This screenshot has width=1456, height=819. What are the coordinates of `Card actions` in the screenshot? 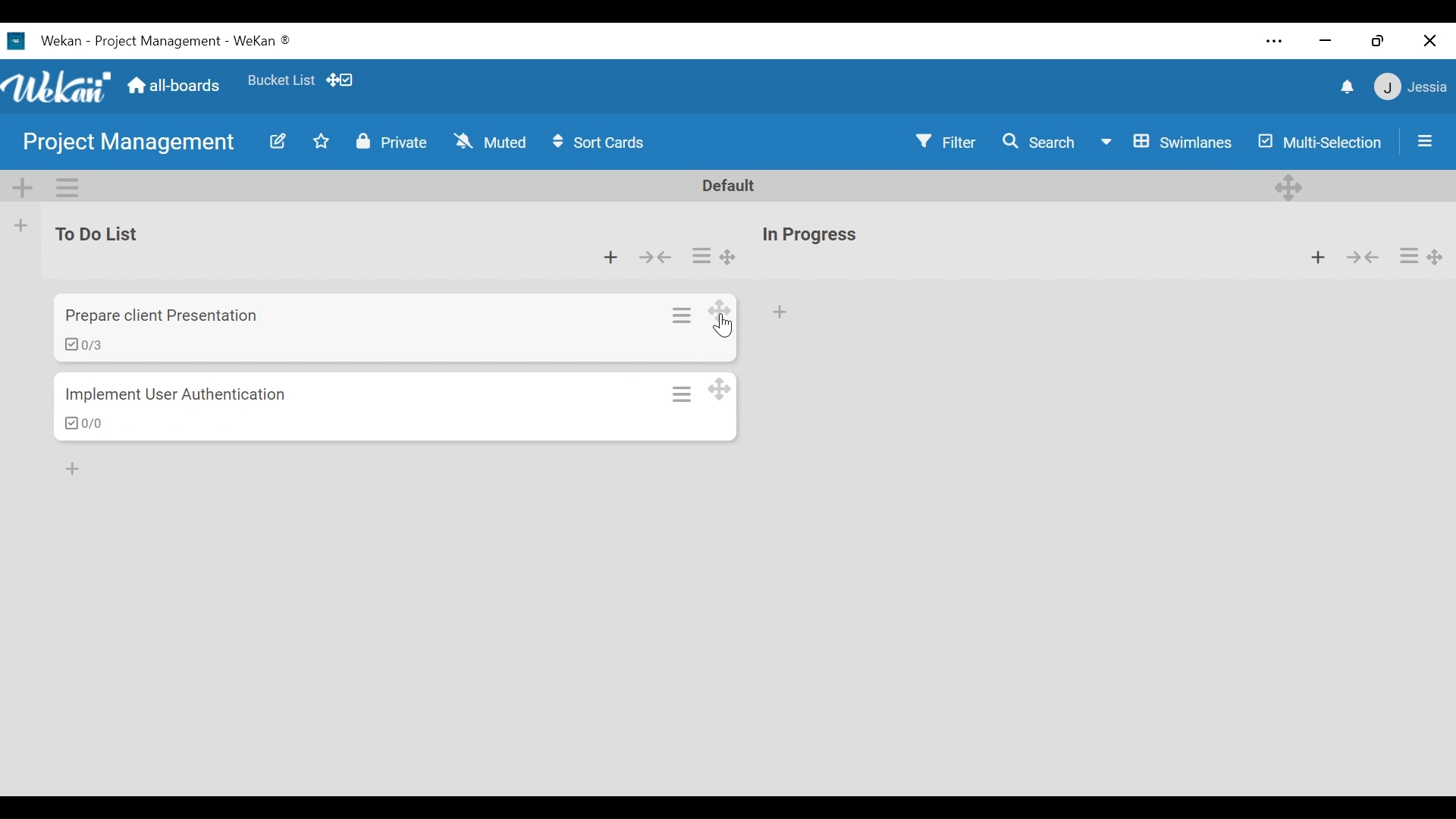 It's located at (685, 394).